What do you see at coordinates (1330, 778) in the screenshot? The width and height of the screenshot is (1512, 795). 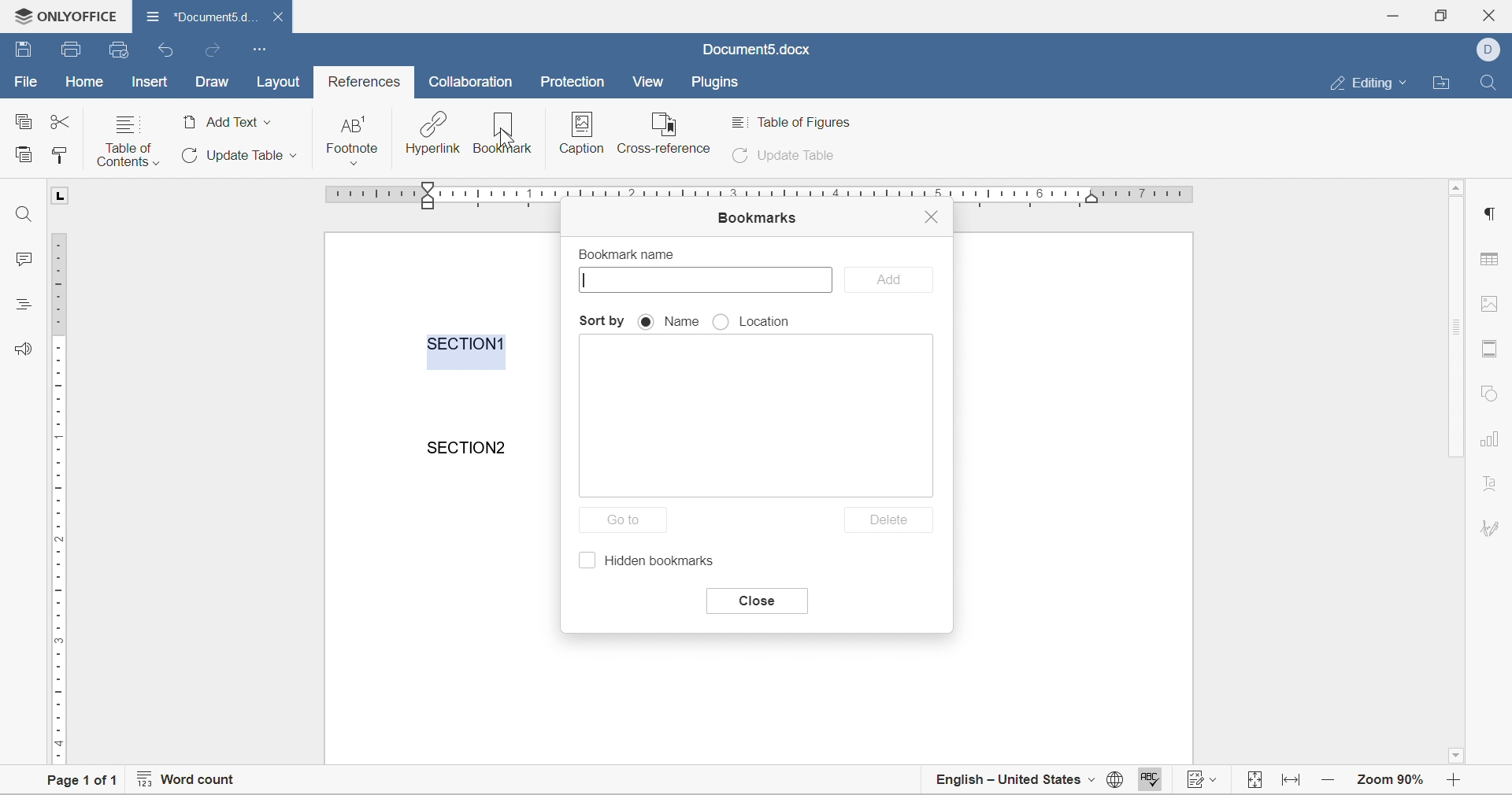 I see `zoom in` at bounding box center [1330, 778].